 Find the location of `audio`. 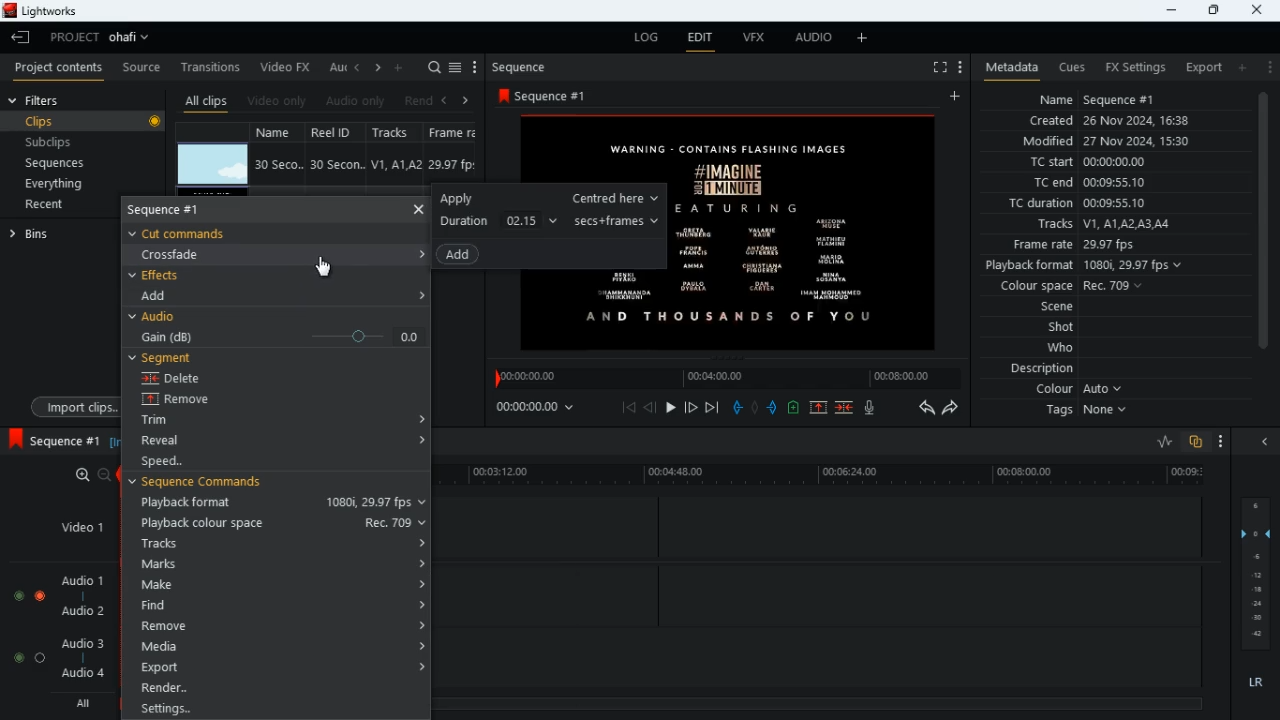

audio is located at coordinates (158, 317).